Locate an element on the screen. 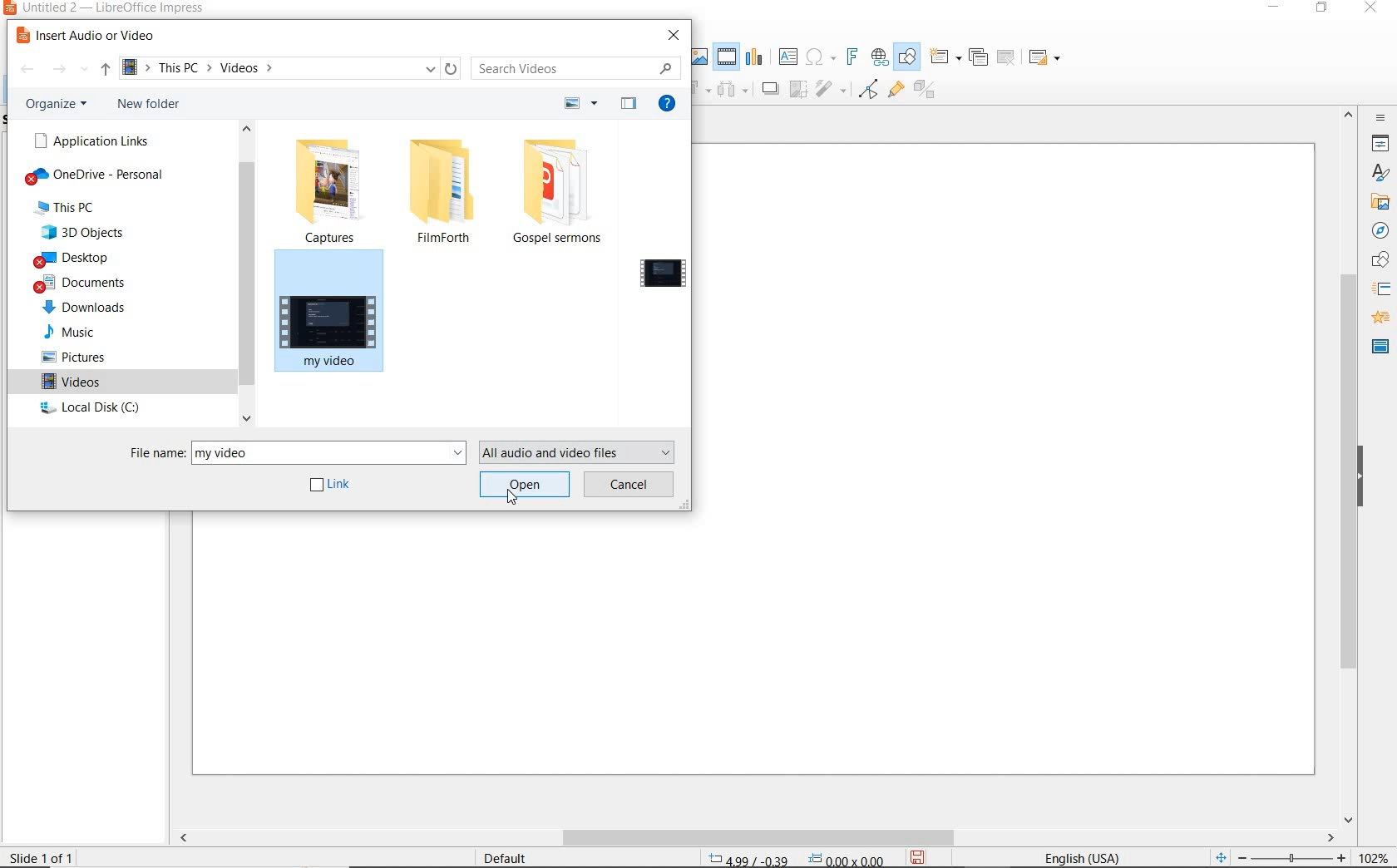 This screenshot has width=1397, height=868. PATH is located at coordinates (286, 69).